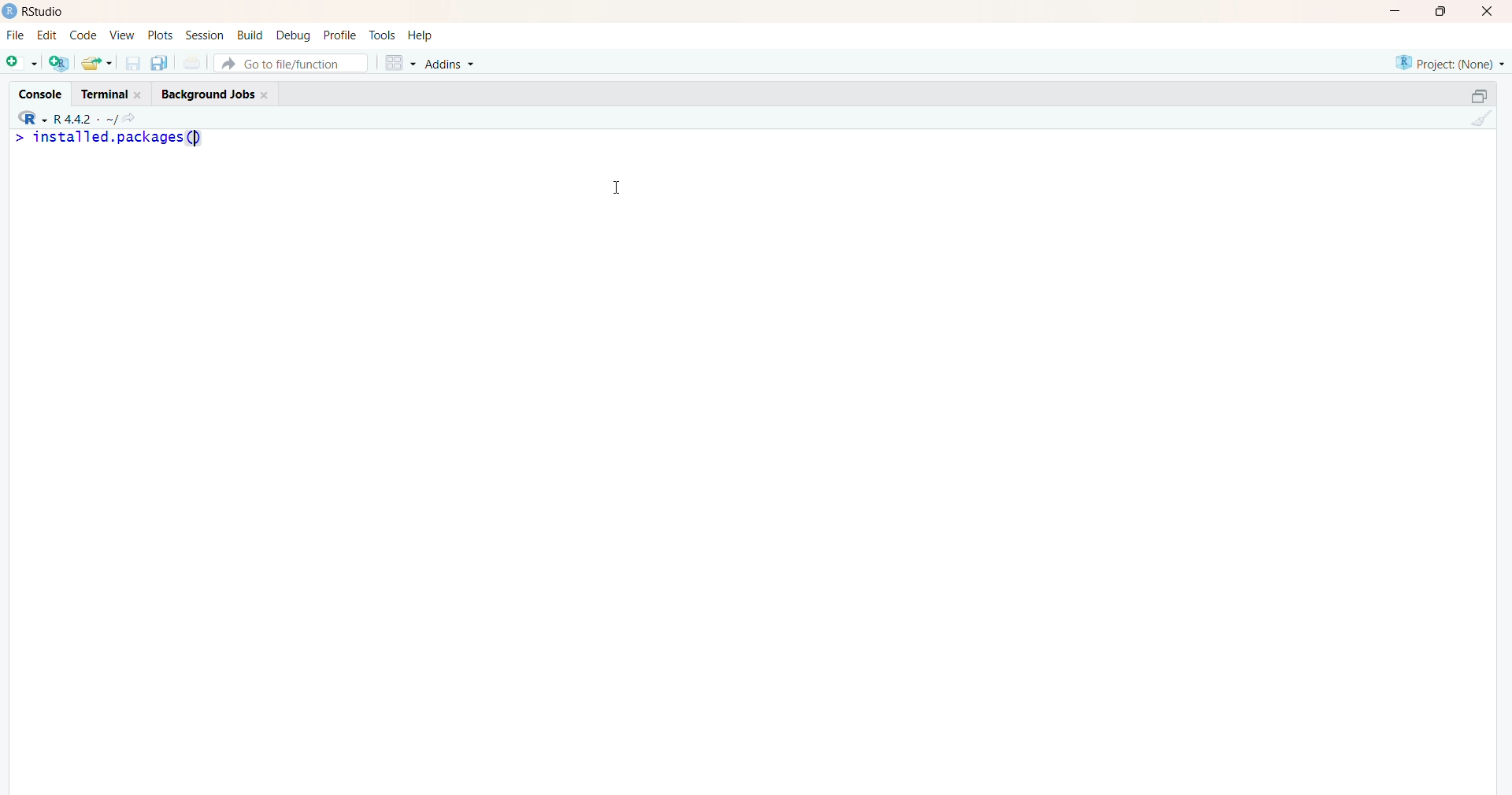 The image size is (1512, 795). Describe the element at coordinates (63, 119) in the screenshot. I see `R 4.4.2` at that location.